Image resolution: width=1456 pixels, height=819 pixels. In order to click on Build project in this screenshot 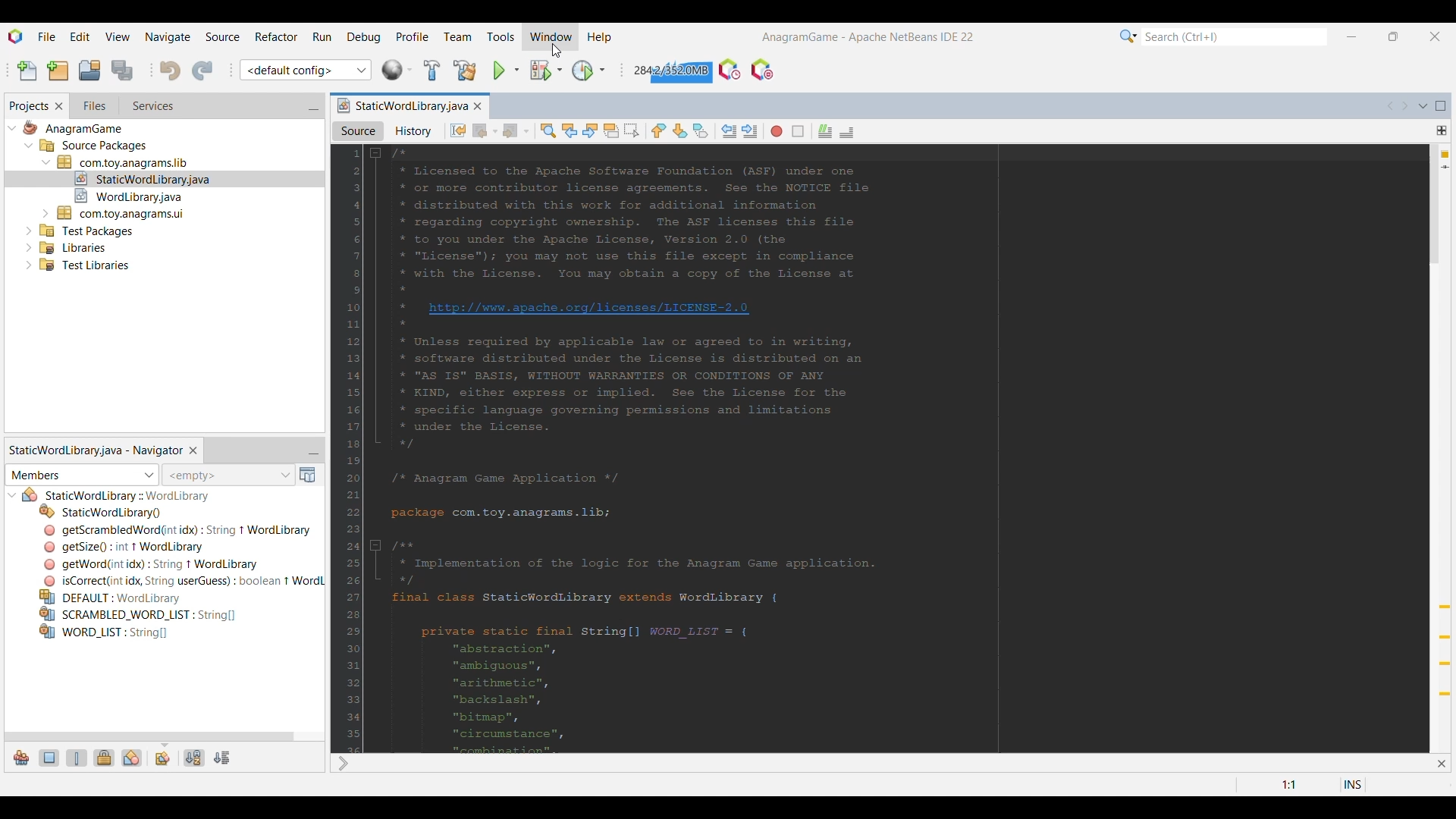, I will do `click(432, 70)`.